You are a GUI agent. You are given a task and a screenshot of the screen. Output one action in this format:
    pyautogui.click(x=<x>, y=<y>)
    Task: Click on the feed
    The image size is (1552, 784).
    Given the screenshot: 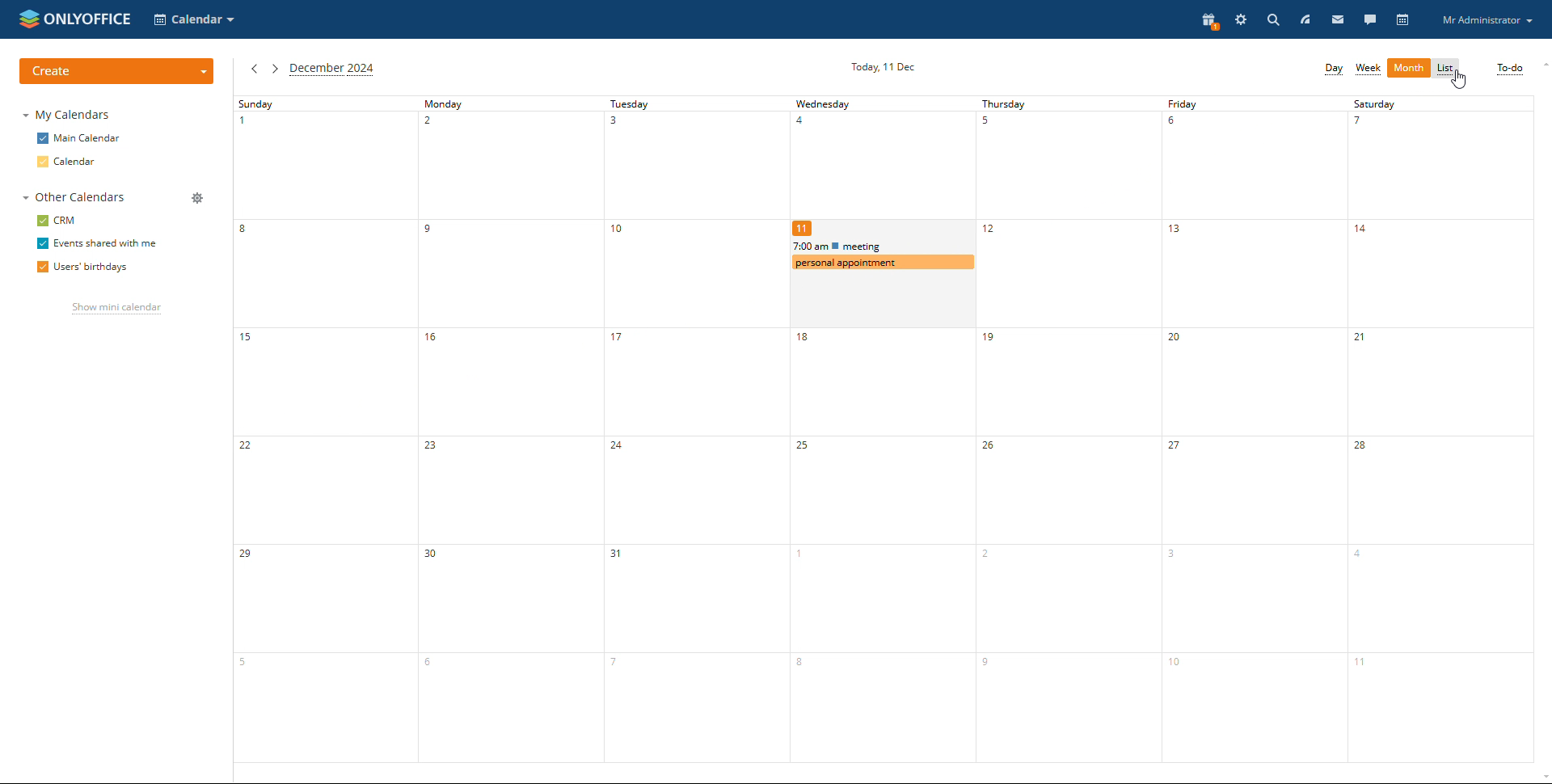 What is the action you would take?
    pyautogui.click(x=1306, y=20)
    